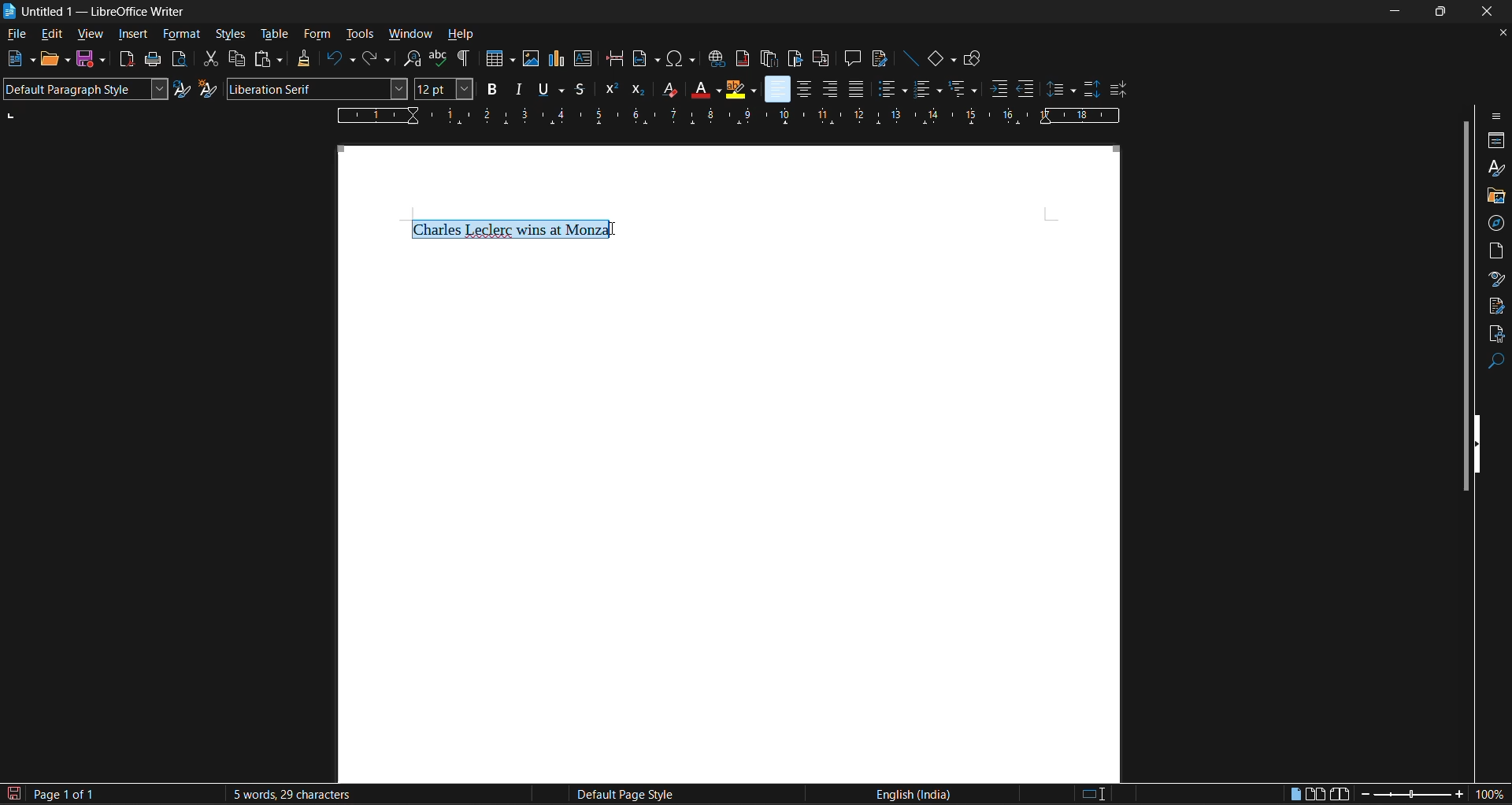  Describe the element at coordinates (437, 58) in the screenshot. I see `check spelling` at that location.